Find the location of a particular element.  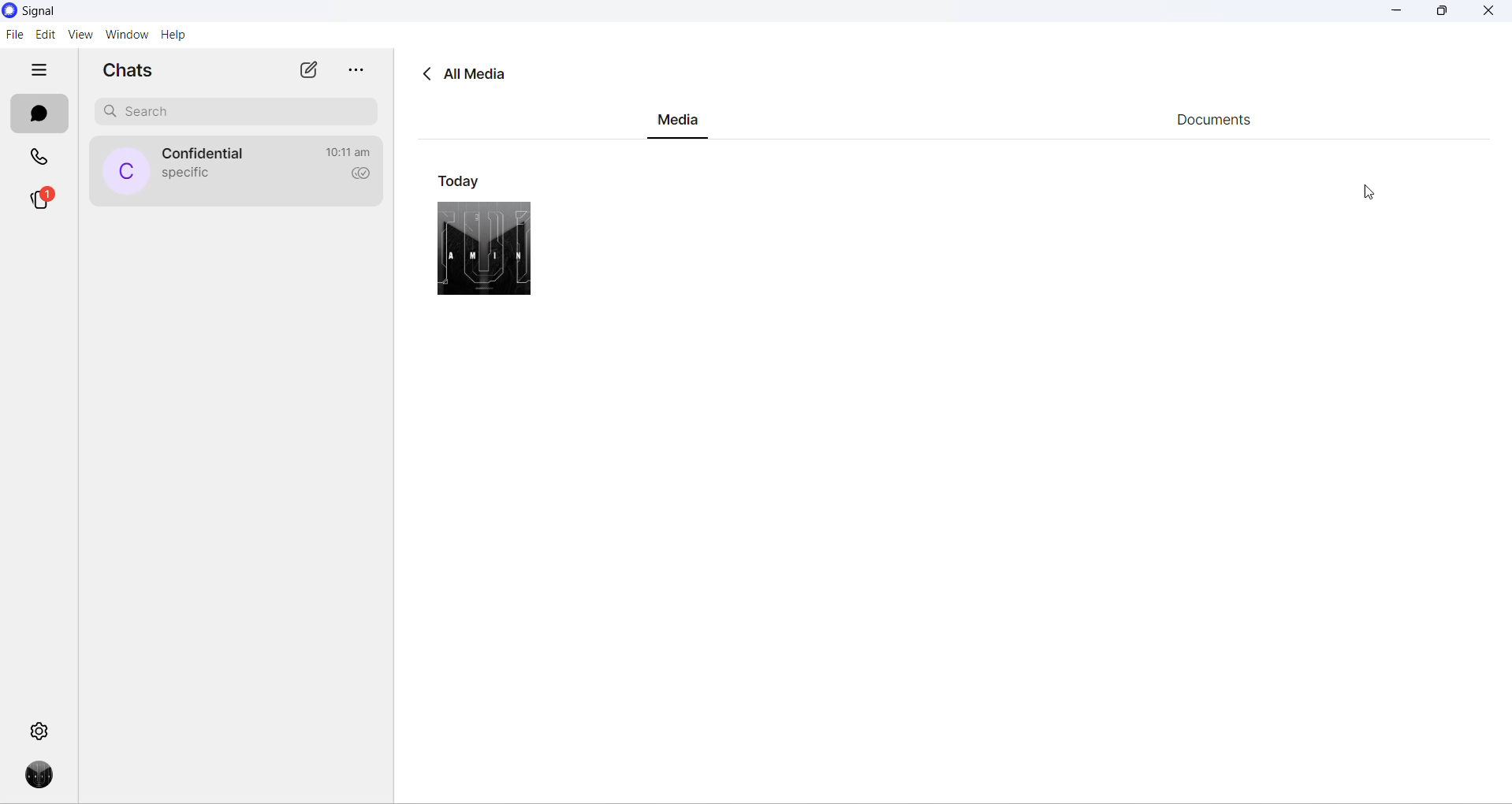

all media heading is located at coordinates (479, 74).